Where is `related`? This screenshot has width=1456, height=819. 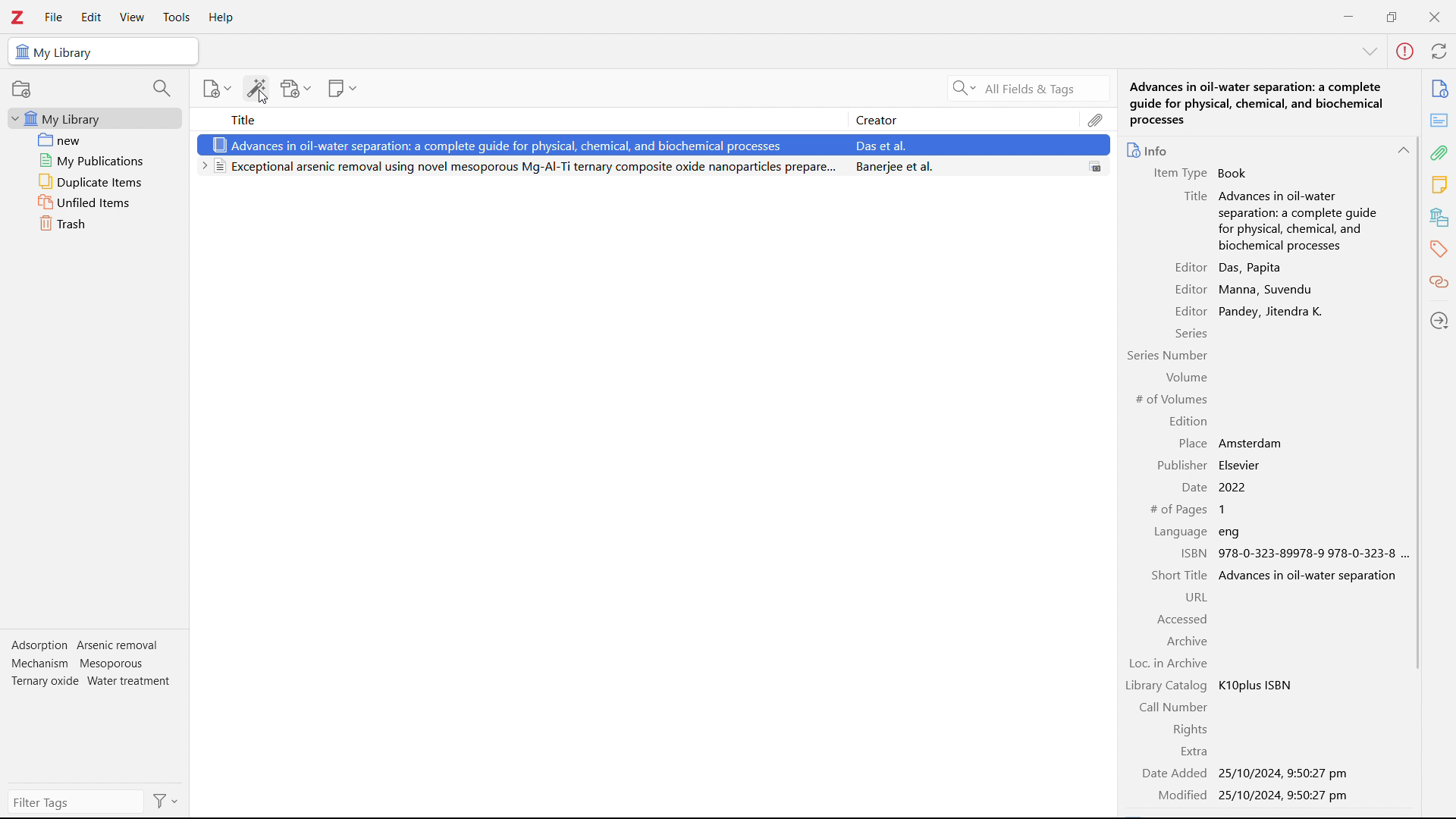 related is located at coordinates (1440, 282).